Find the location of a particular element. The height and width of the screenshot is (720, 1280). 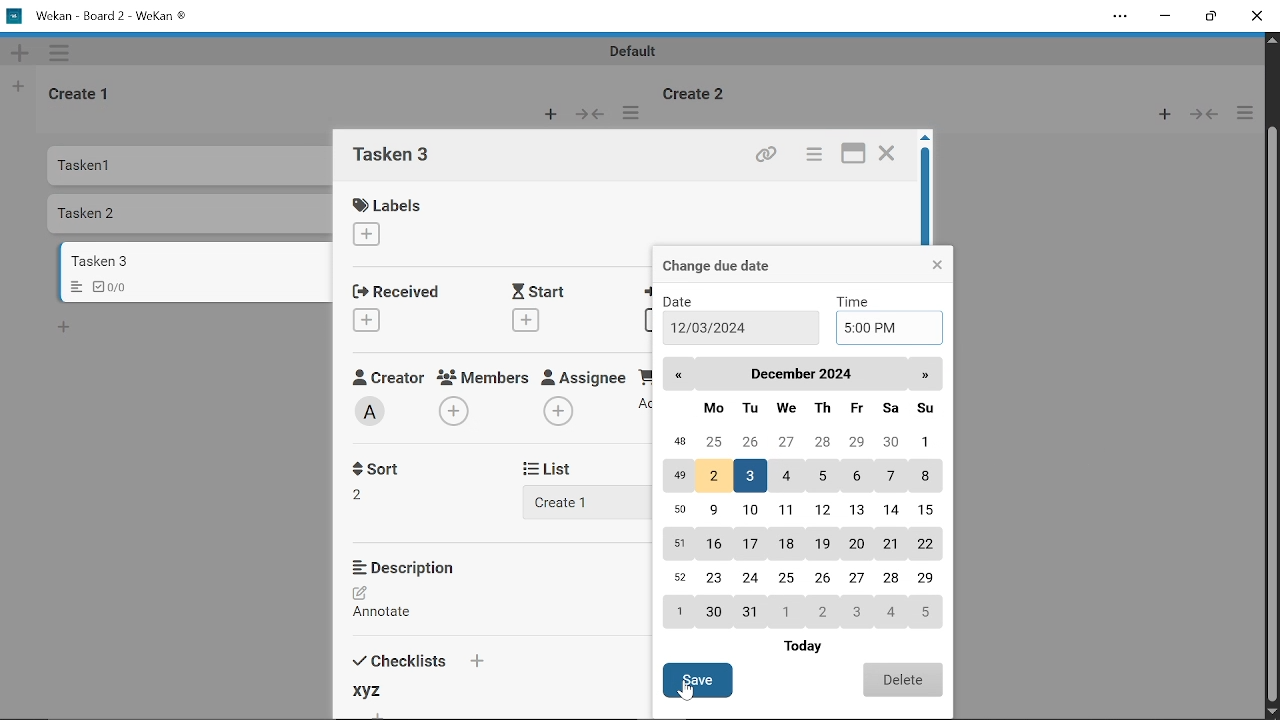

Creator  is located at coordinates (373, 412).